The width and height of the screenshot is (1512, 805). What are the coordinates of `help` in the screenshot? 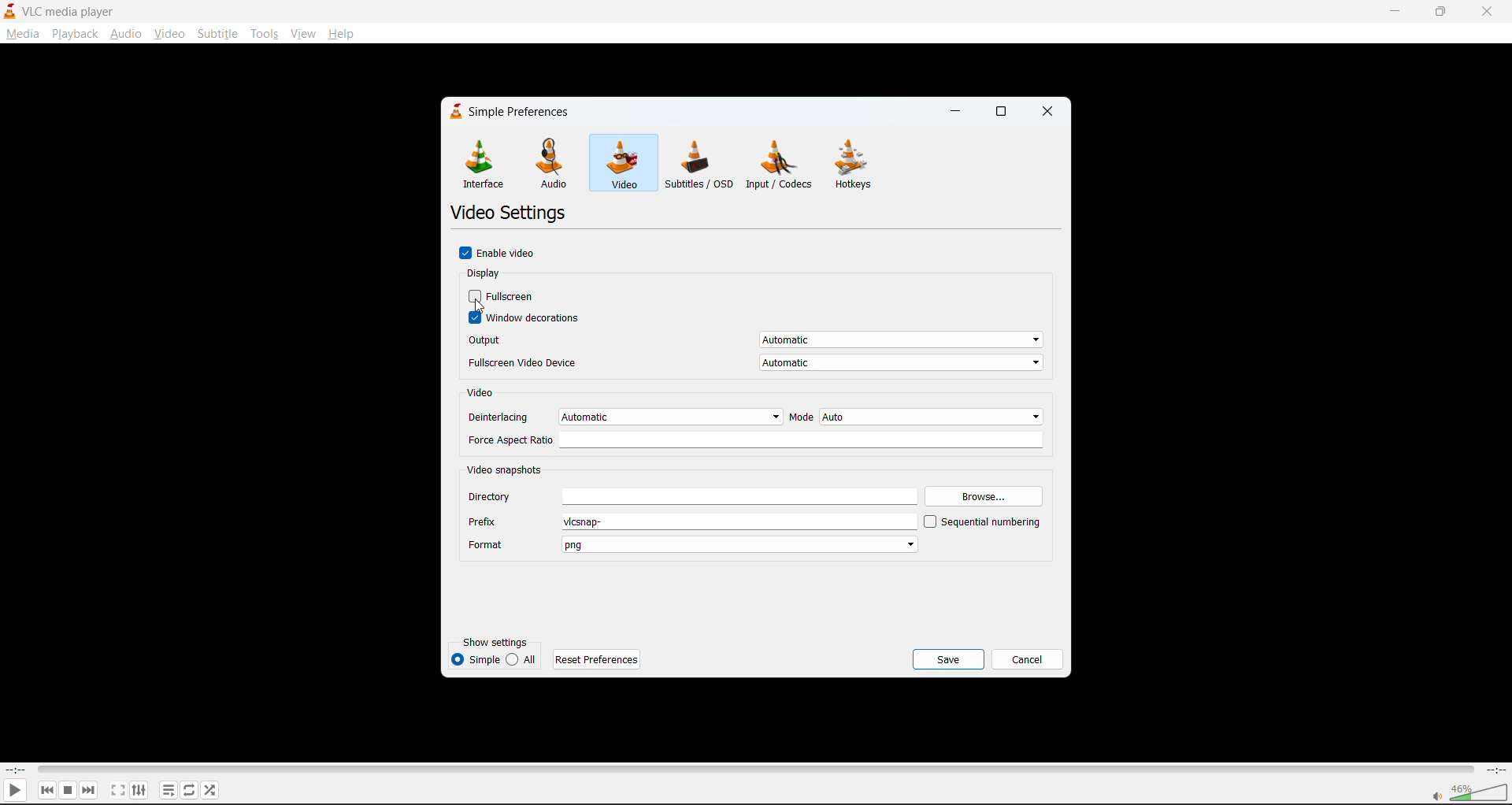 It's located at (339, 35).